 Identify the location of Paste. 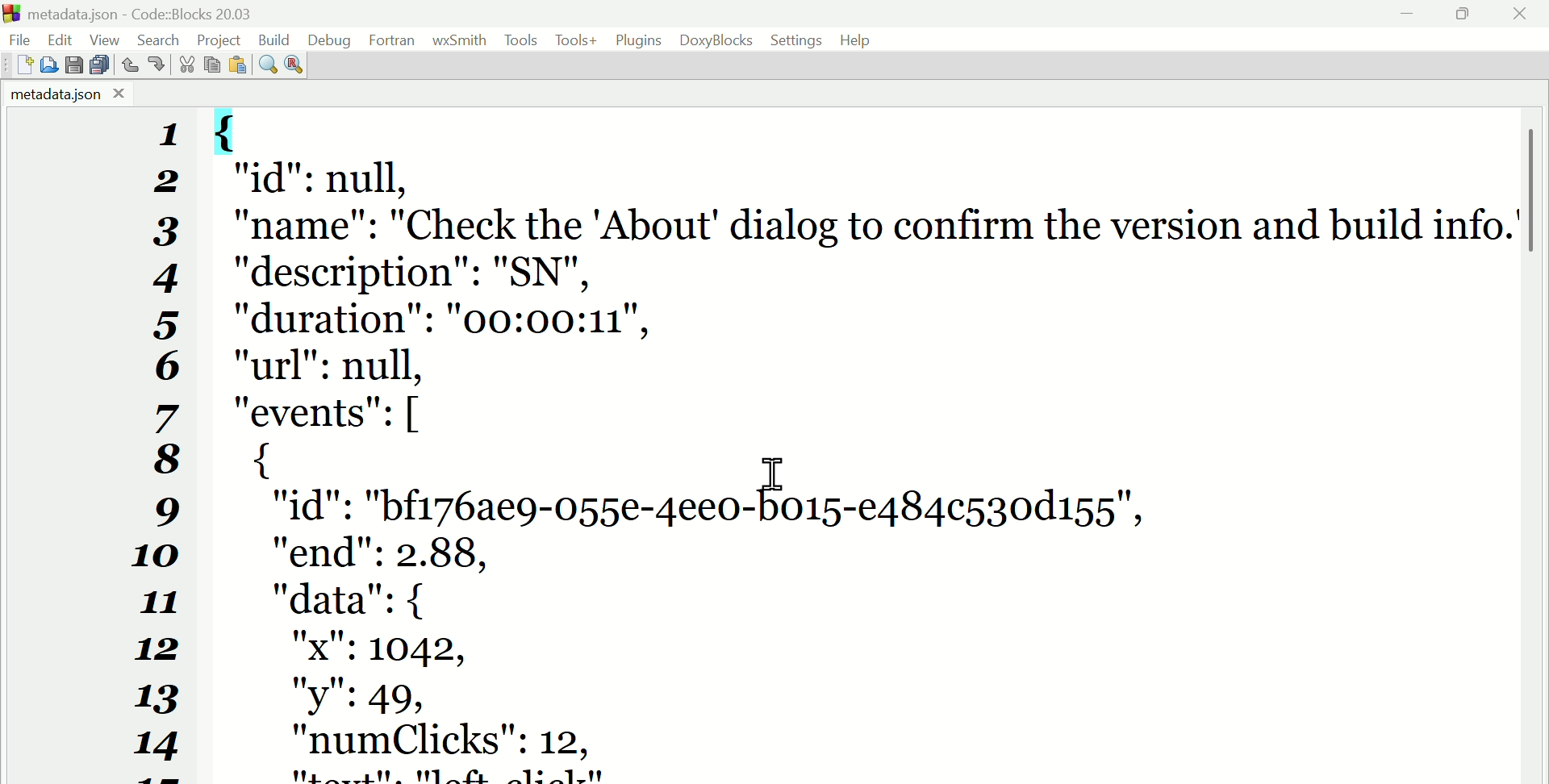
(237, 65).